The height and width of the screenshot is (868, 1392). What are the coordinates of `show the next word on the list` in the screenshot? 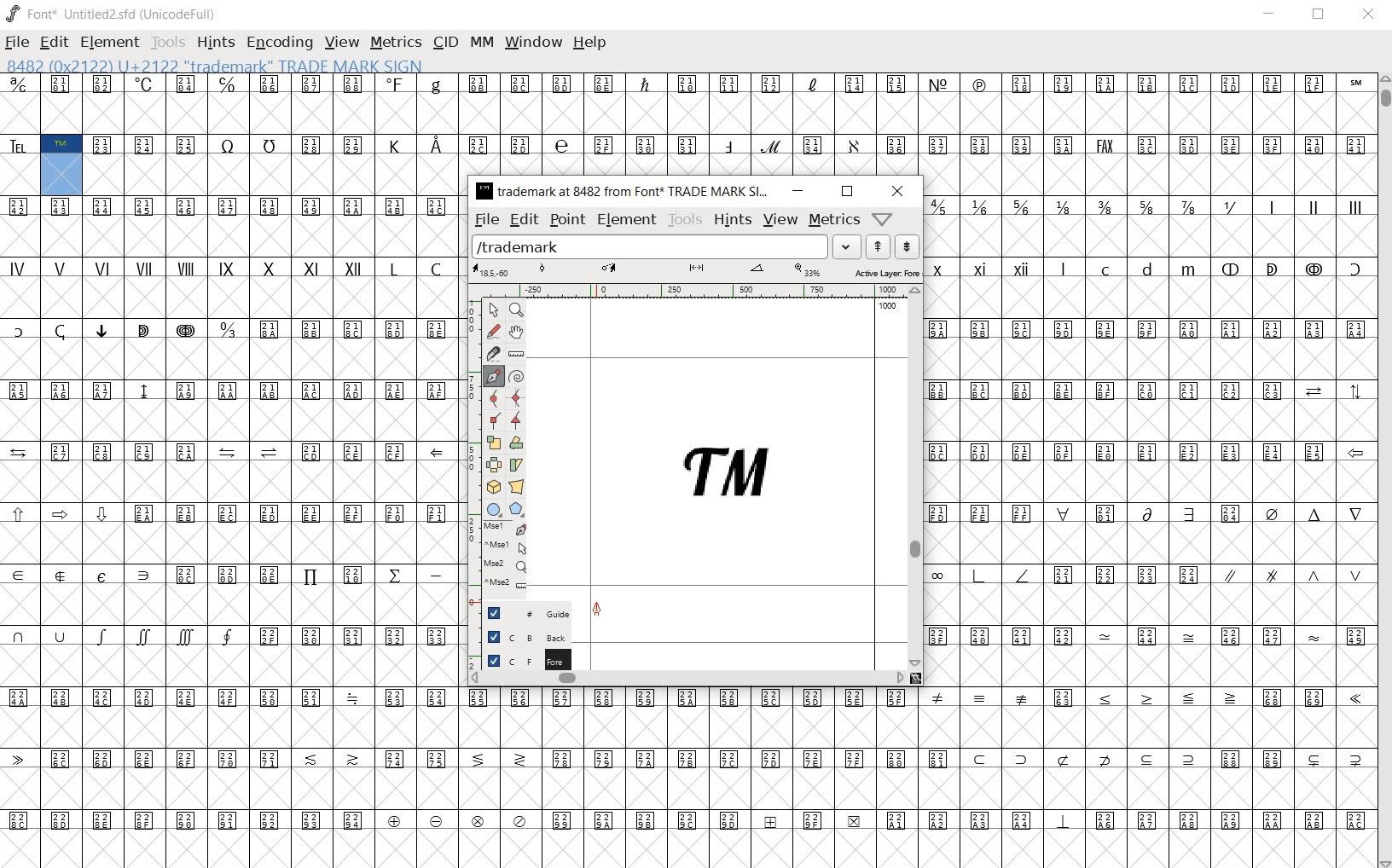 It's located at (878, 246).